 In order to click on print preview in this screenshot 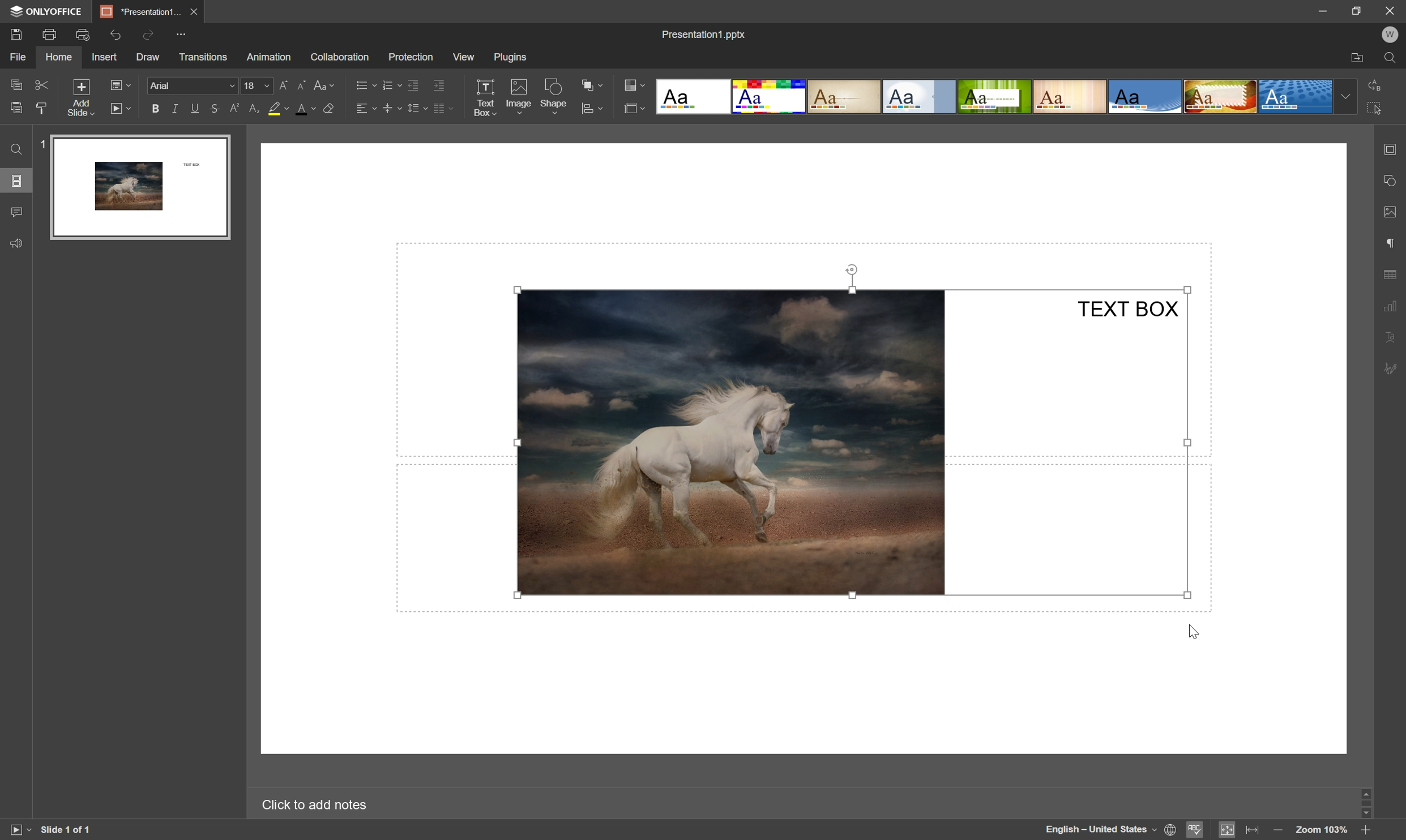, I will do `click(83, 33)`.